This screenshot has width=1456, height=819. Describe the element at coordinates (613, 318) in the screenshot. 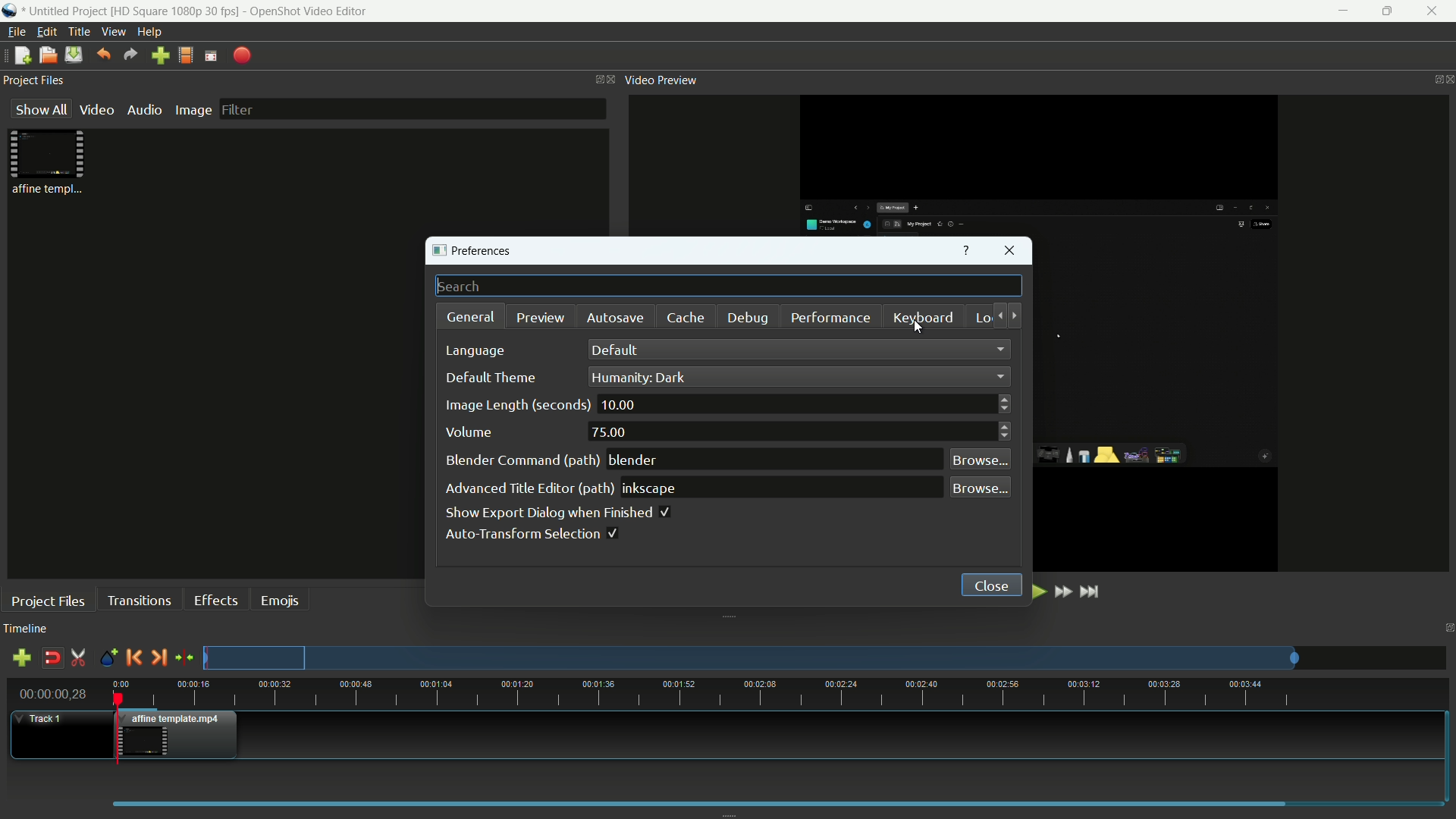

I see `autosave` at that location.